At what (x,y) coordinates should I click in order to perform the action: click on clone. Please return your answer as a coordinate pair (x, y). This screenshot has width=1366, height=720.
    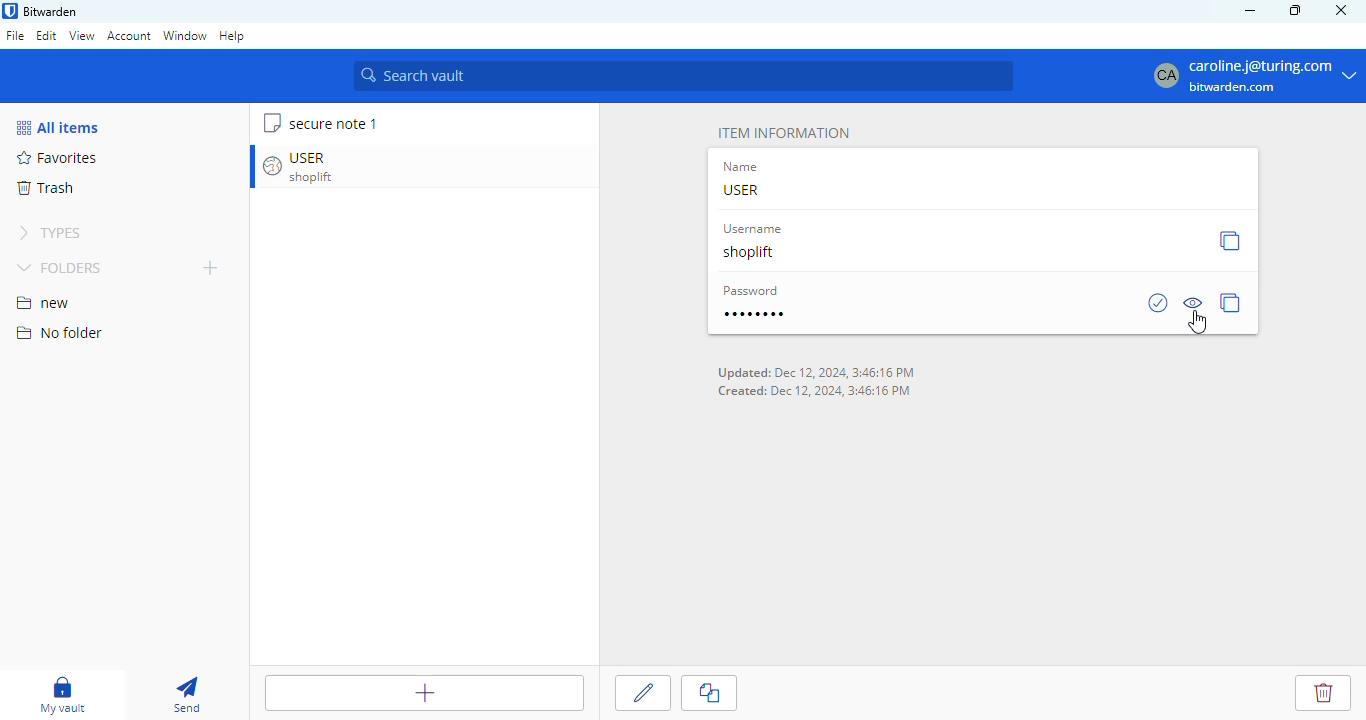
    Looking at the image, I should click on (709, 693).